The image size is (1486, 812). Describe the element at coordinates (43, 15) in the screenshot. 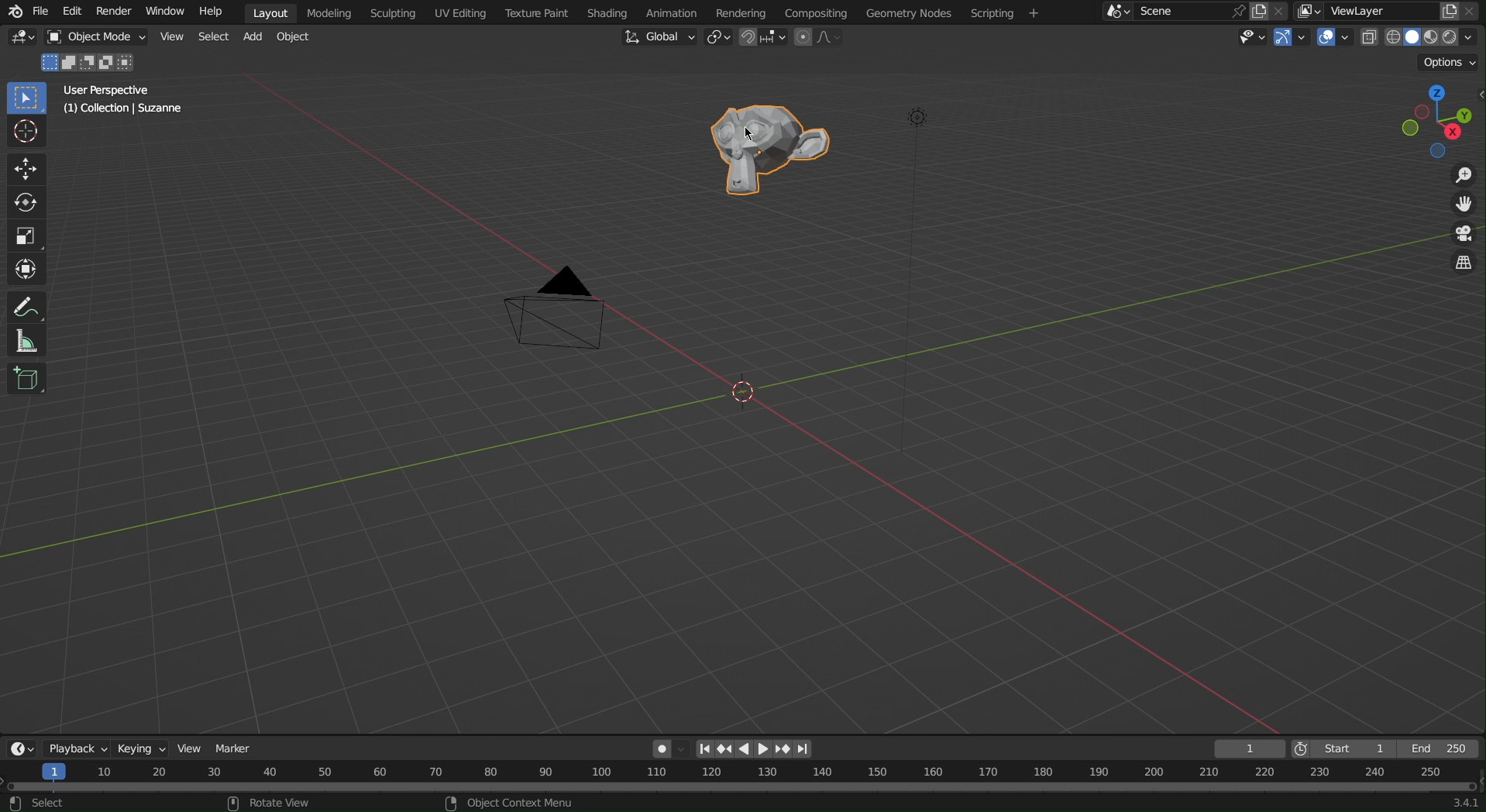

I see `File ` at that location.